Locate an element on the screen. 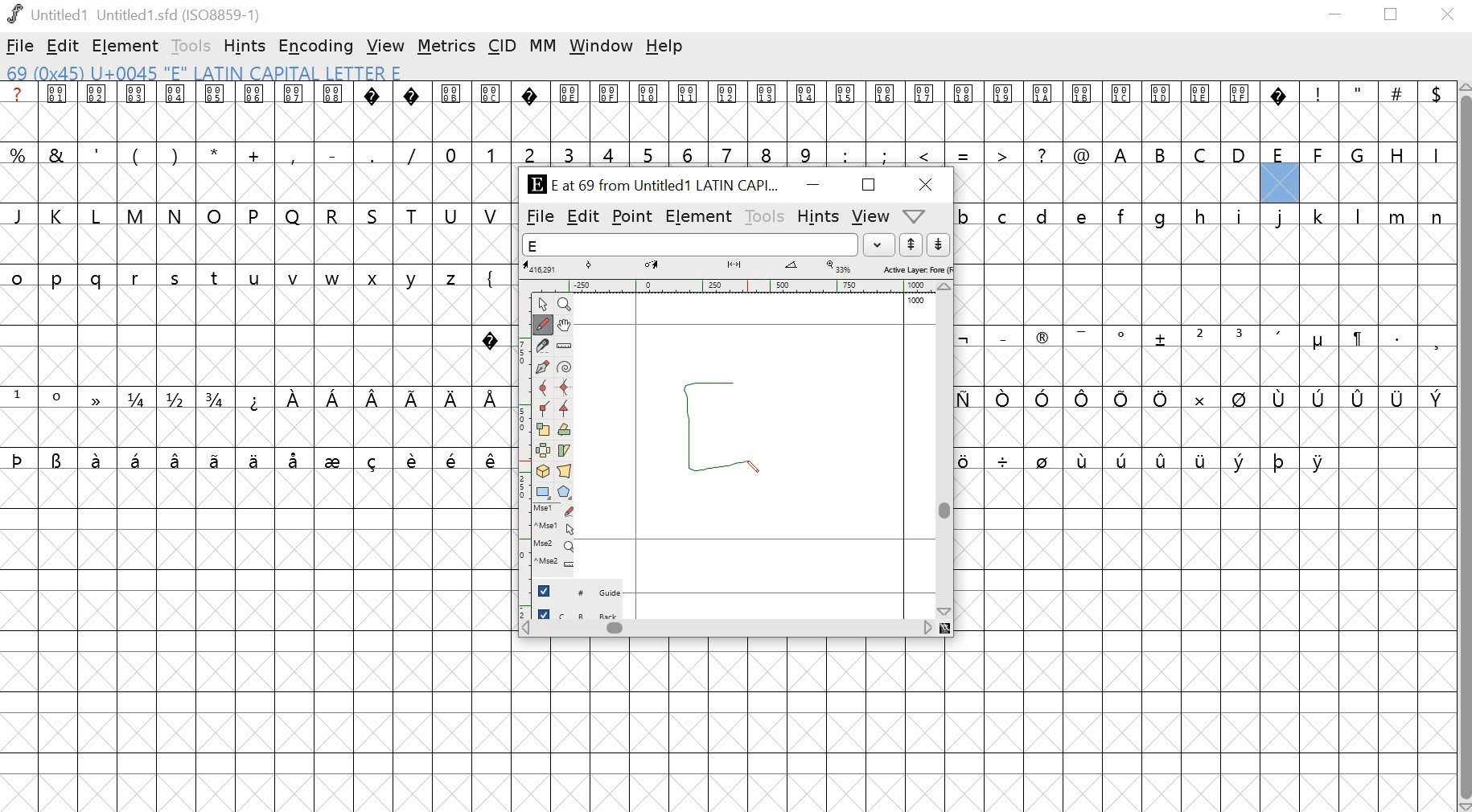  element is located at coordinates (698, 216).